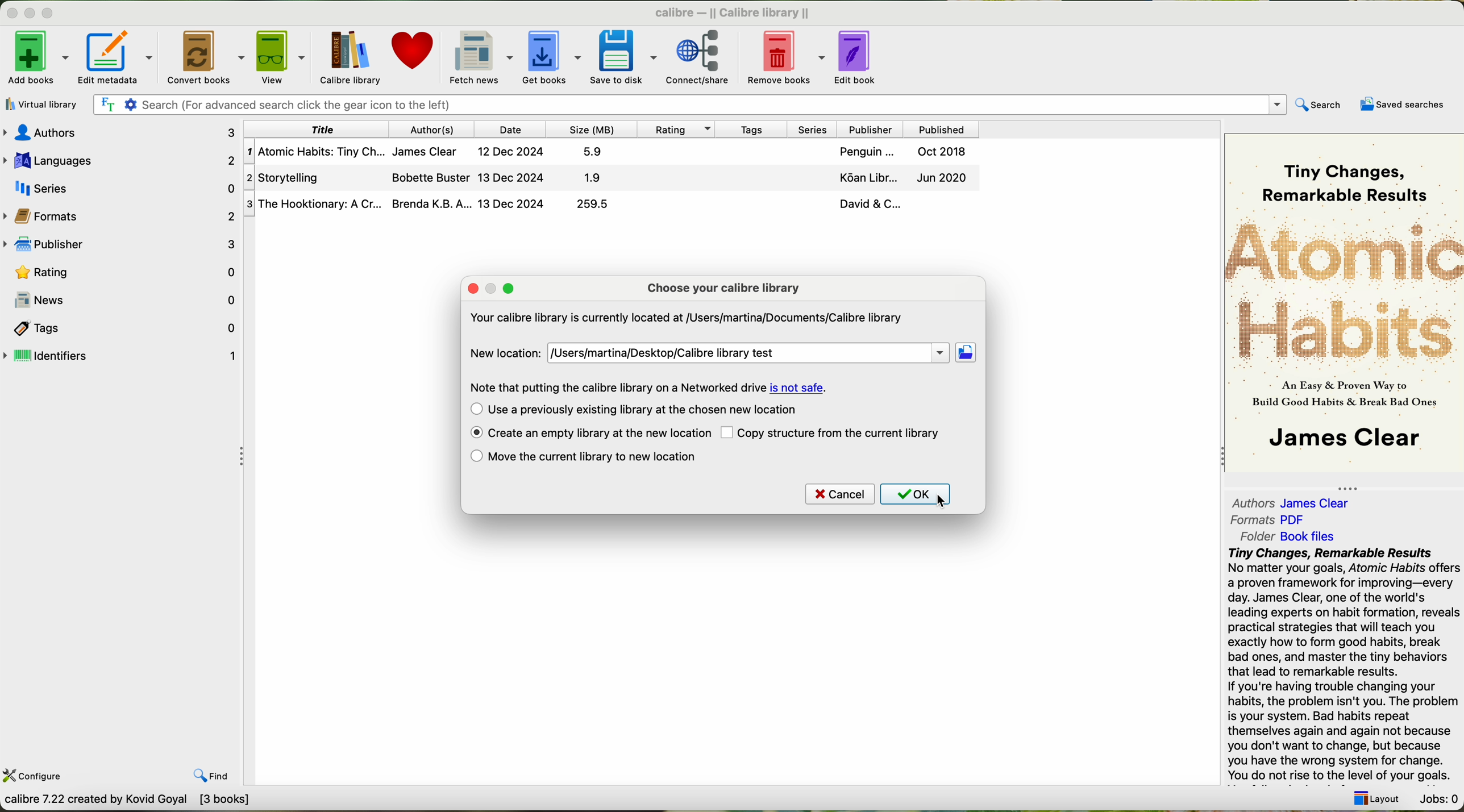  Describe the element at coordinates (509, 289) in the screenshot. I see `maximize` at that location.